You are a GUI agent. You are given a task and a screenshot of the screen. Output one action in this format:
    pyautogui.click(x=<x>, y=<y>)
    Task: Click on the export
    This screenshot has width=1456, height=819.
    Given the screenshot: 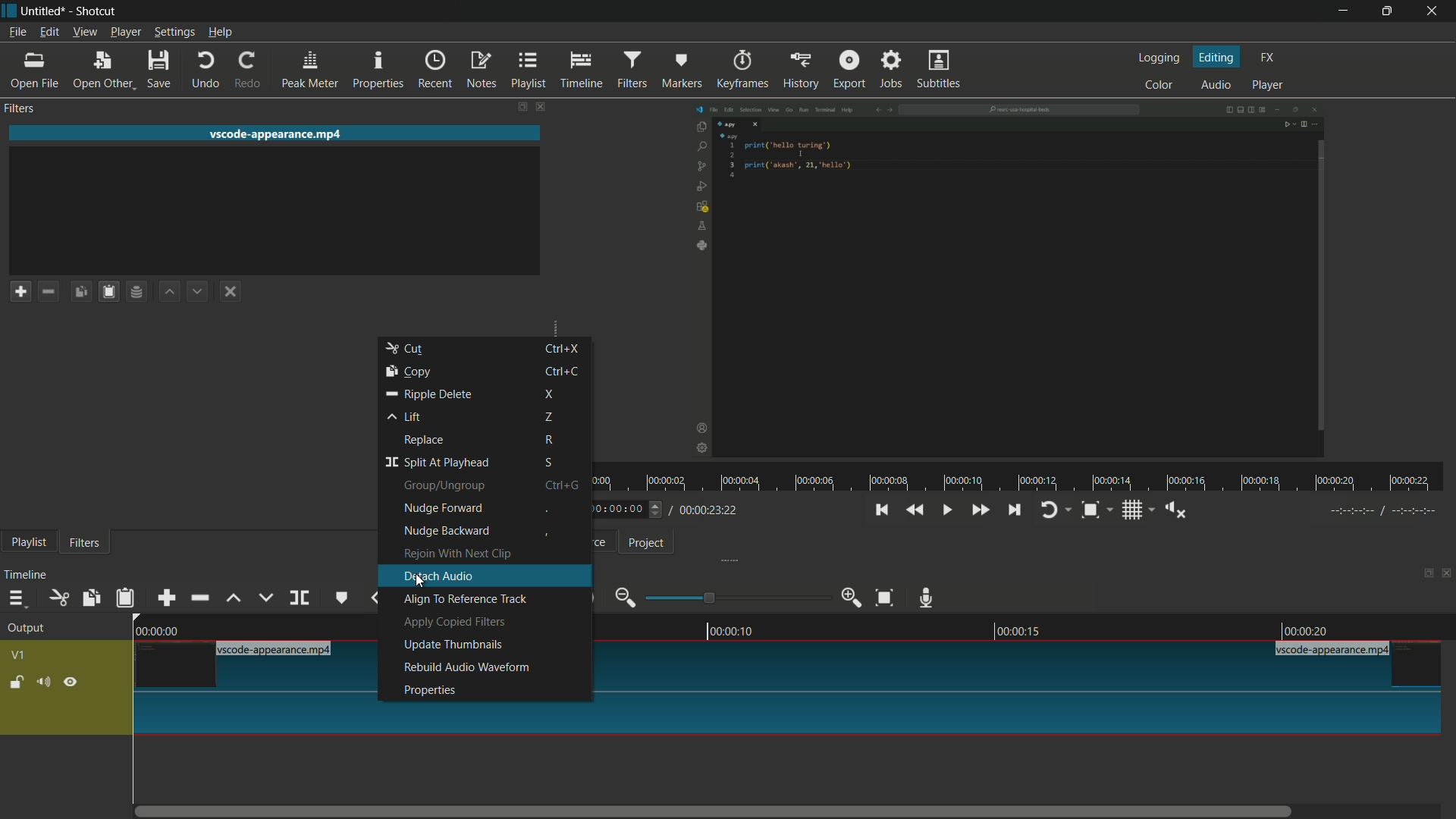 What is the action you would take?
    pyautogui.click(x=849, y=71)
    